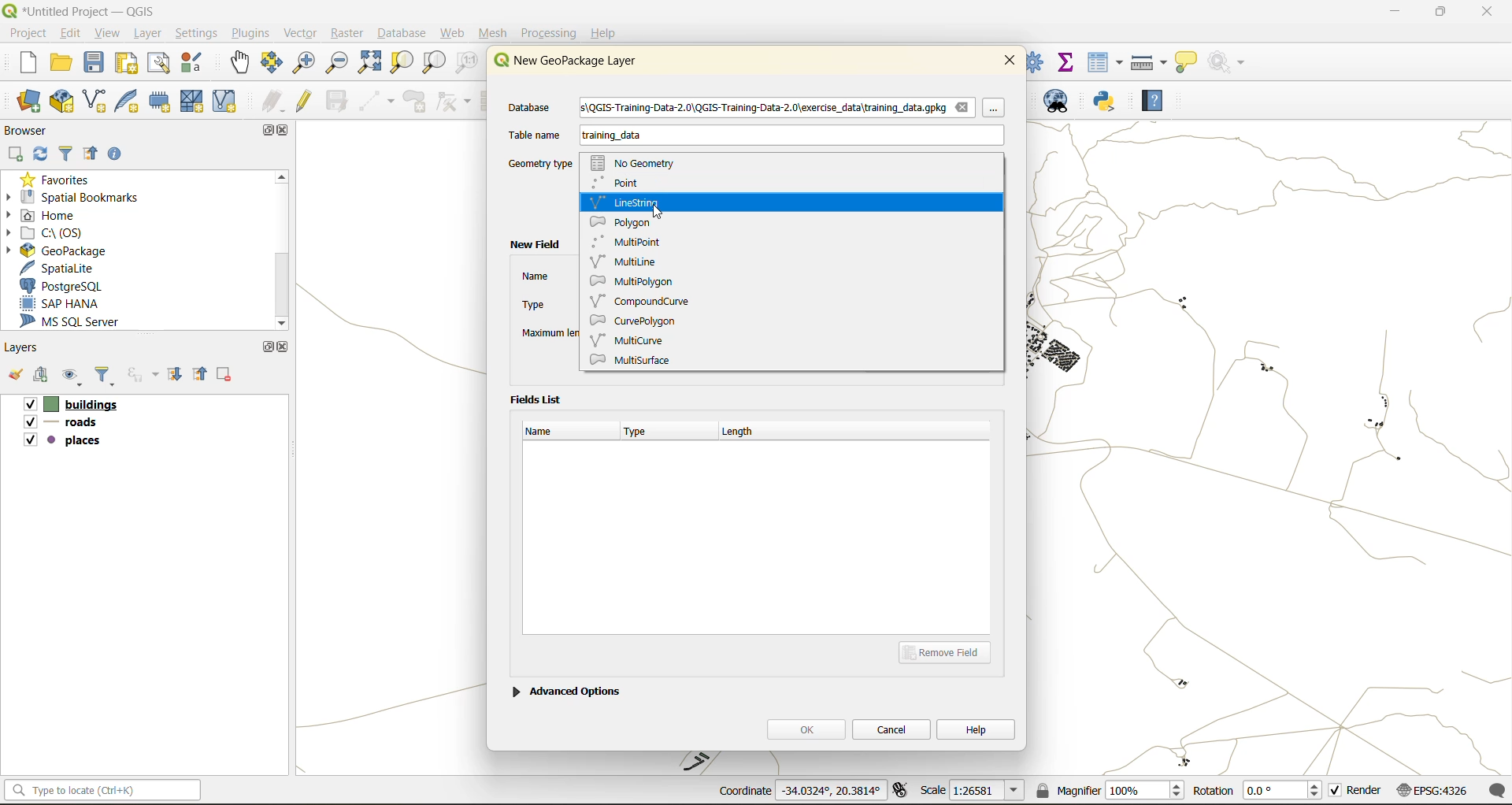 The width and height of the screenshot is (1512, 805). Describe the element at coordinates (636, 322) in the screenshot. I see `curve polygon` at that location.